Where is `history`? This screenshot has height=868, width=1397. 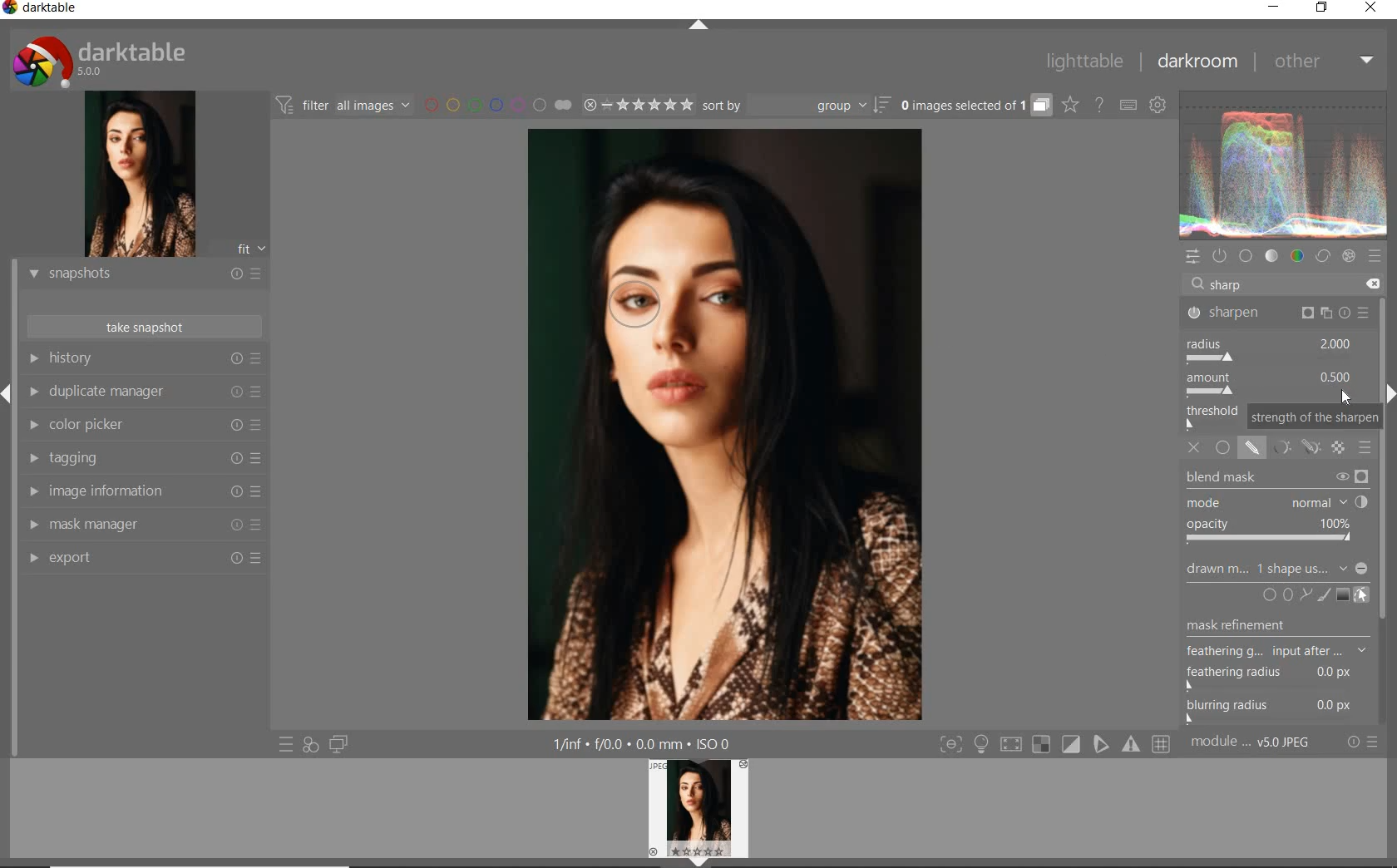 history is located at coordinates (146, 358).